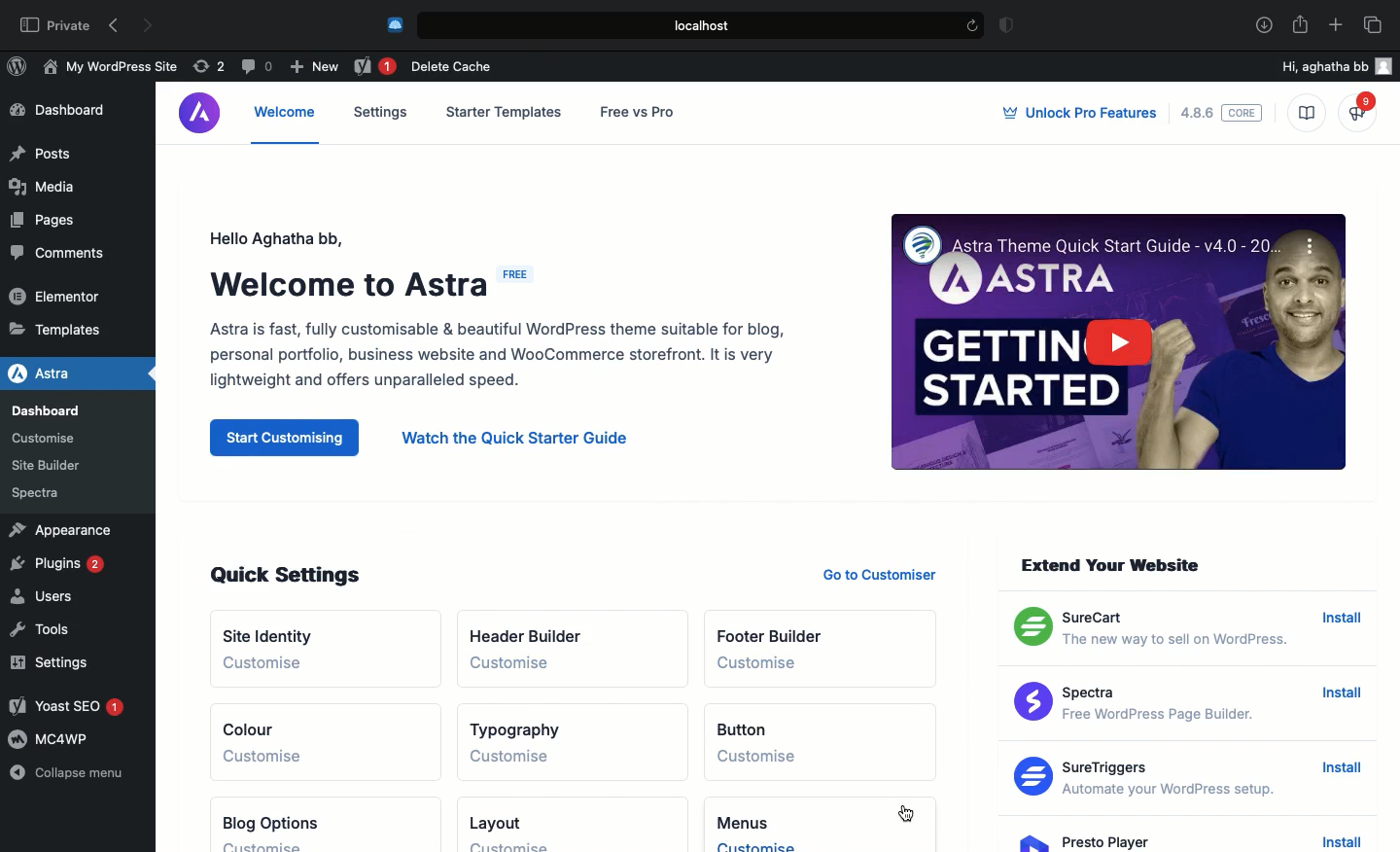 The width and height of the screenshot is (1400, 852). I want to click on Yoast 1, so click(374, 67).